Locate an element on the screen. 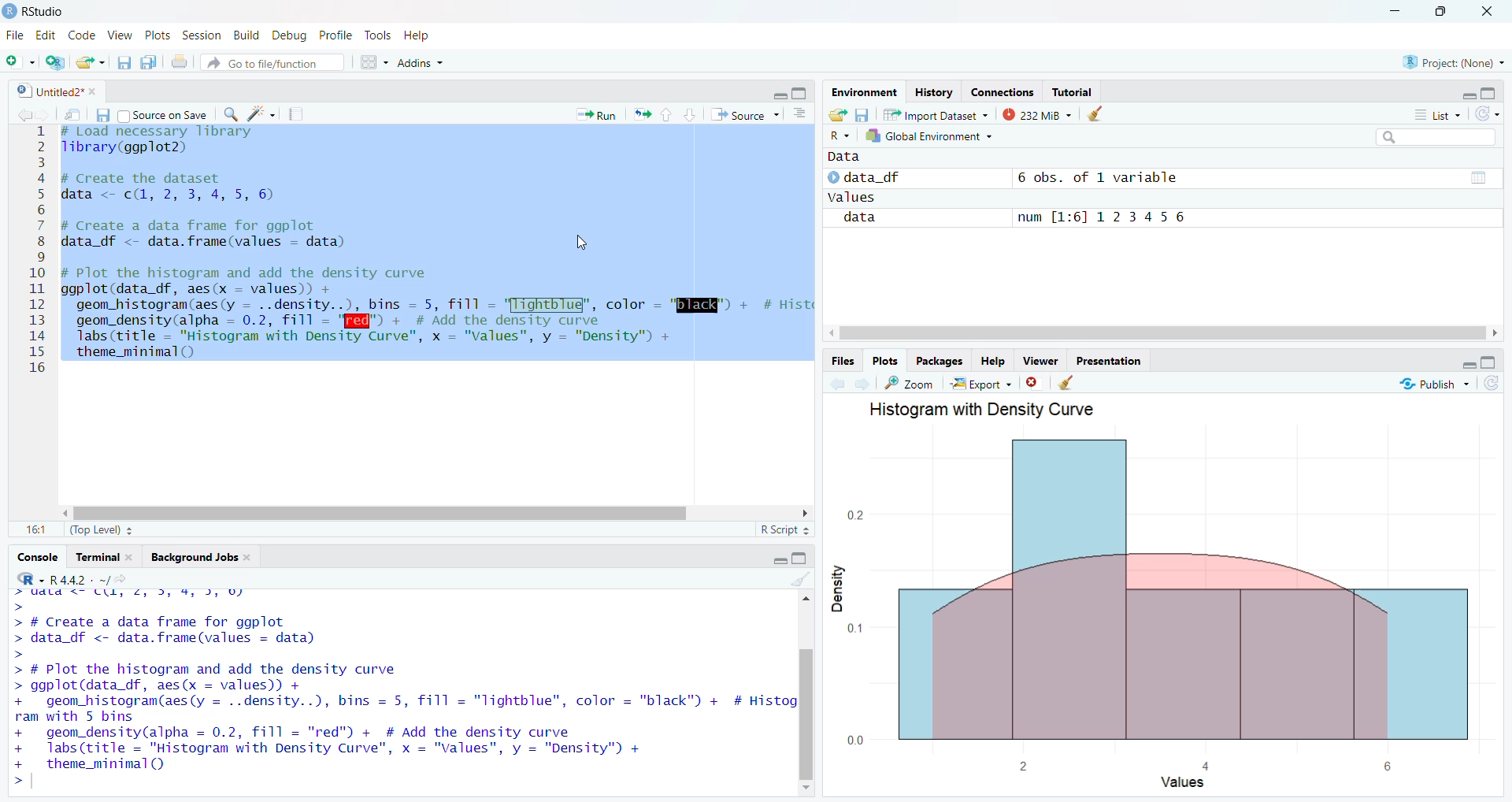 The width and height of the screenshot is (1512, 802). Help is located at coordinates (994, 360).